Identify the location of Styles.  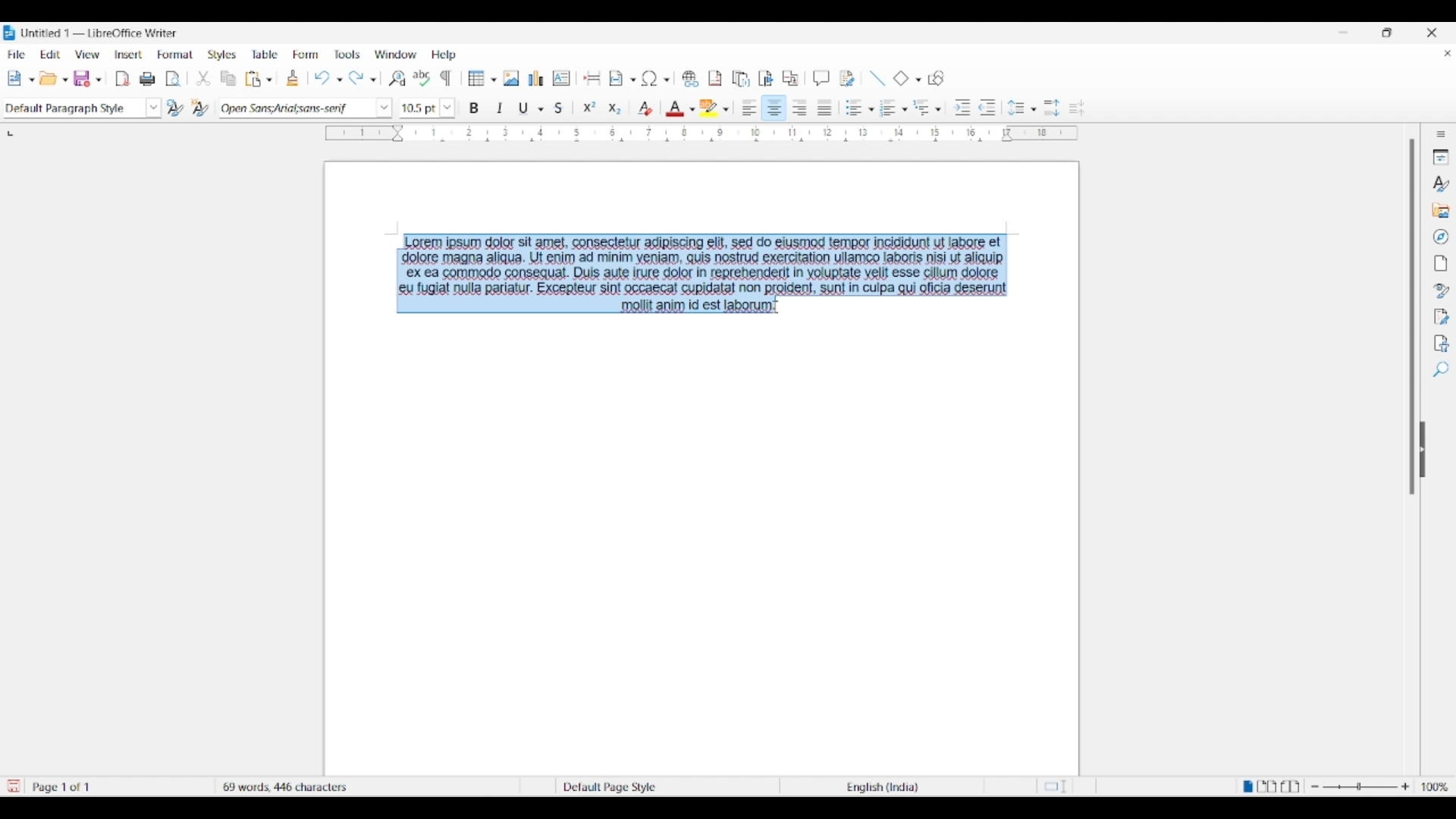
(1440, 183).